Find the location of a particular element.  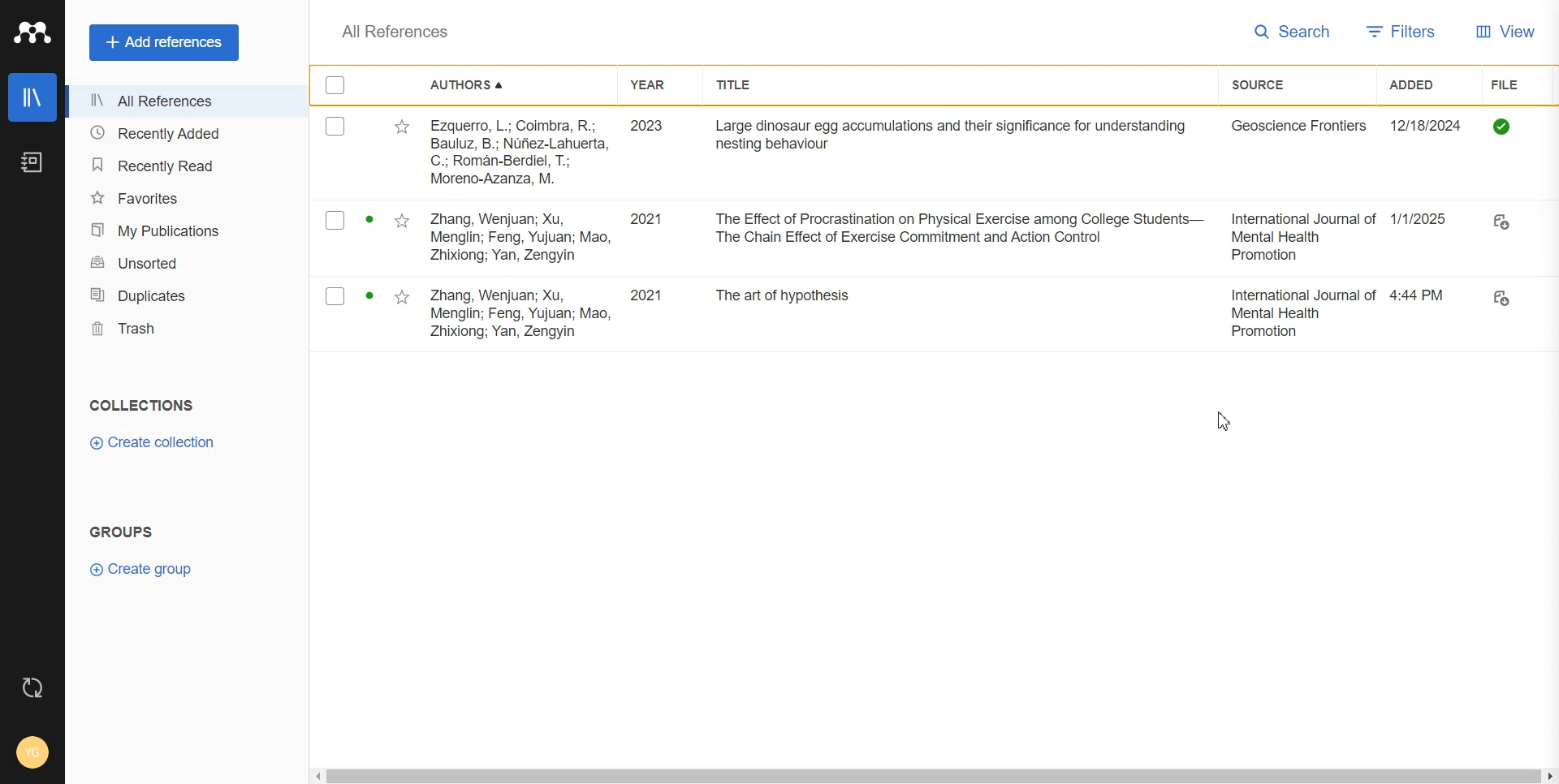

My Publication is located at coordinates (172, 231).